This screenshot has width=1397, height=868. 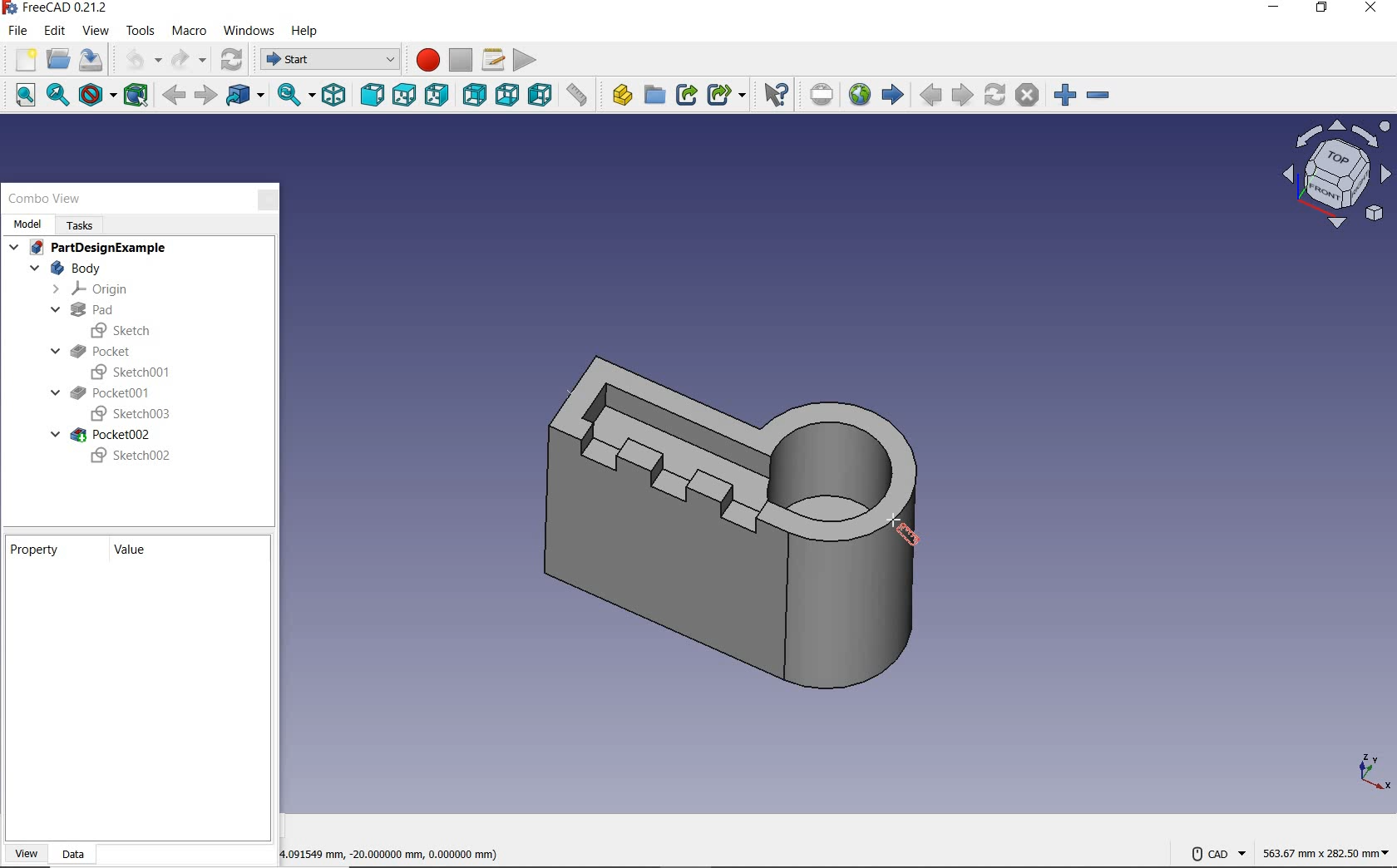 What do you see at coordinates (576, 97) in the screenshot?
I see `ruler` at bounding box center [576, 97].